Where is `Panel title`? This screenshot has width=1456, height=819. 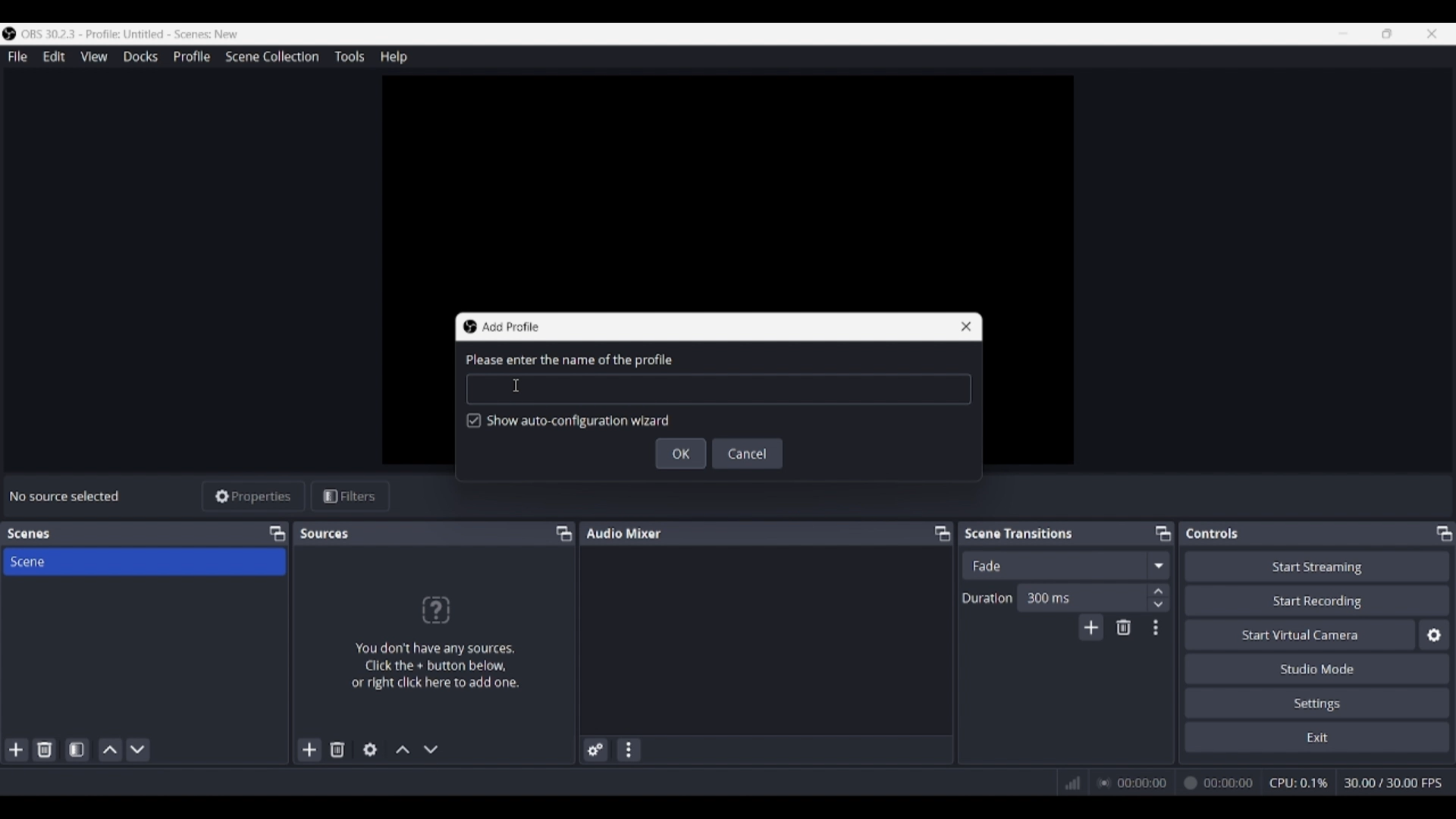
Panel title is located at coordinates (624, 532).